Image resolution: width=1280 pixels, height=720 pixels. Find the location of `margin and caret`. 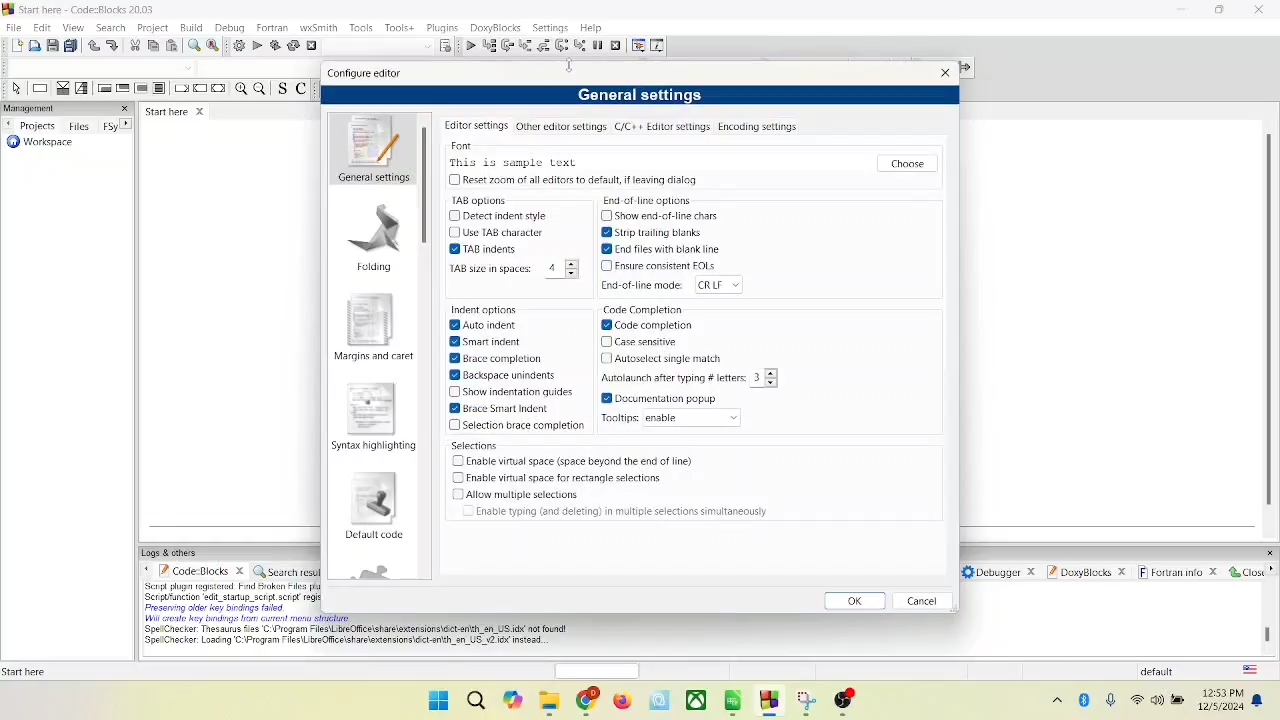

margin and caret is located at coordinates (374, 325).